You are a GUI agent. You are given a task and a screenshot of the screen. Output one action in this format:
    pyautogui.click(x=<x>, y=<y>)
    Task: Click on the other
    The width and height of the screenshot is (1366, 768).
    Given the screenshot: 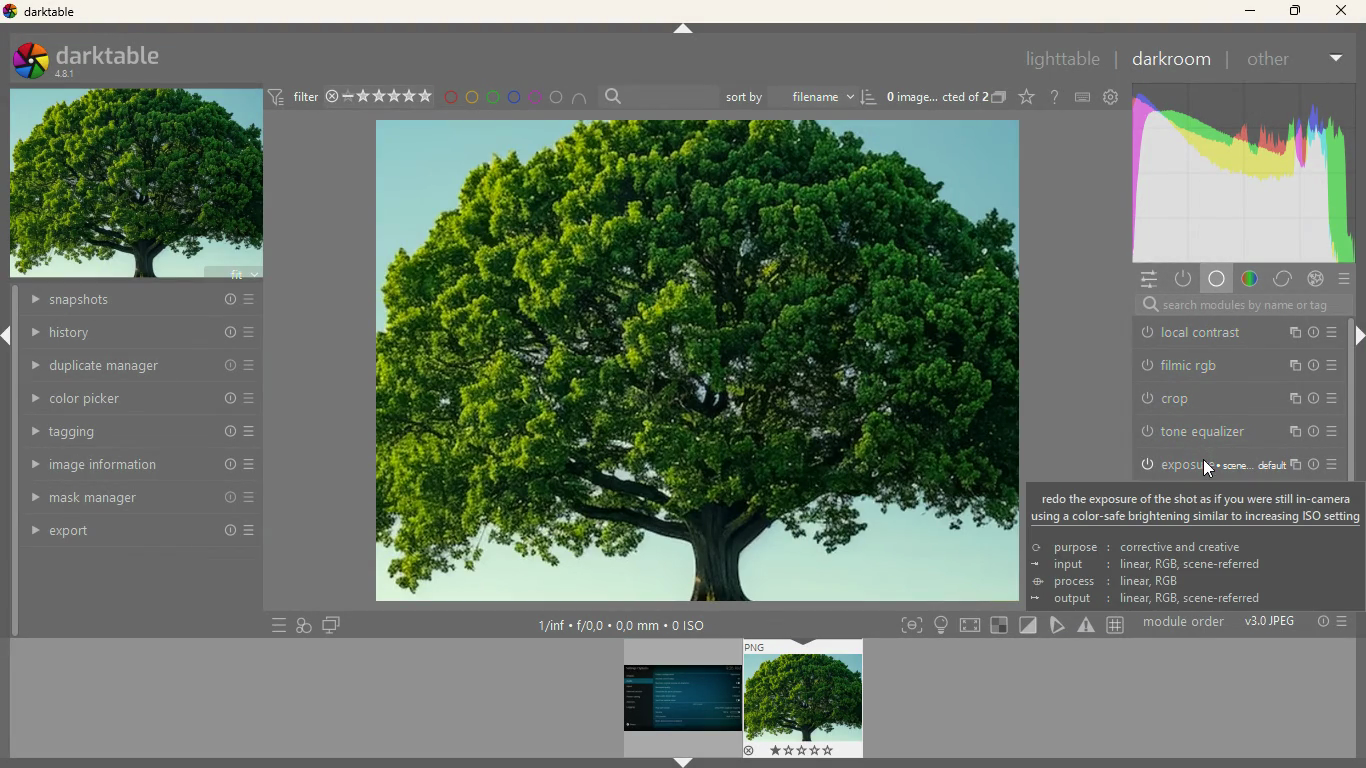 What is the action you would take?
    pyautogui.click(x=1274, y=62)
    